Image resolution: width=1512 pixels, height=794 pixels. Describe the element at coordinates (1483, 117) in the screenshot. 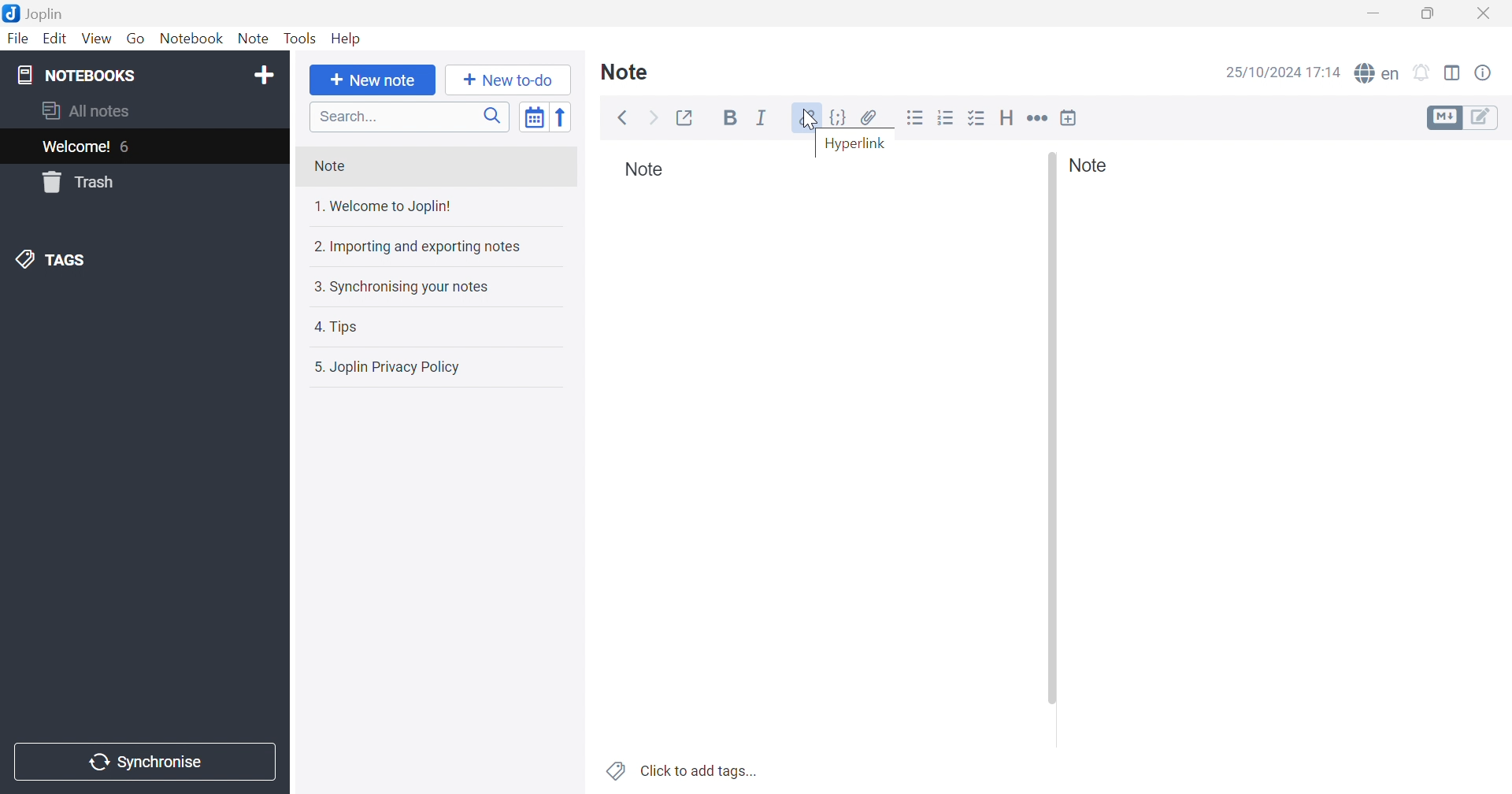

I see `Toggle editors` at that location.